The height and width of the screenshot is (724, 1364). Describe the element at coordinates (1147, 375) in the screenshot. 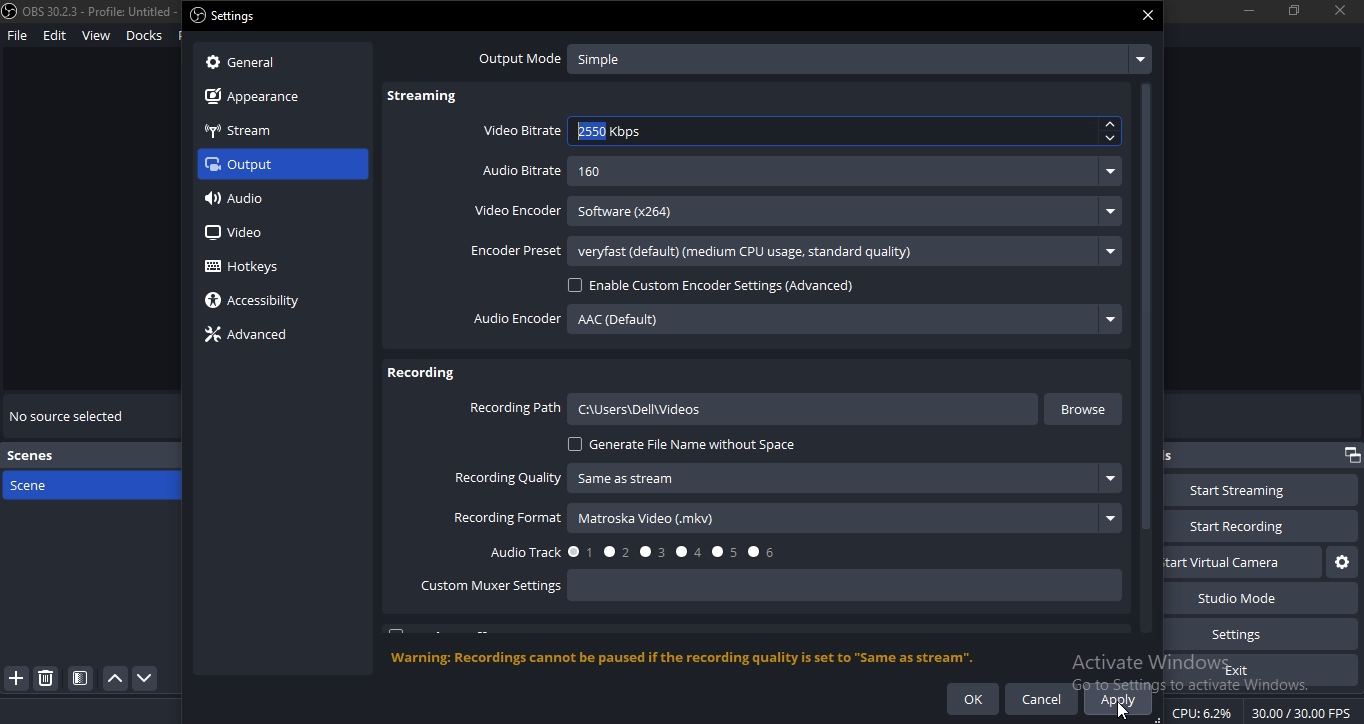

I see `scrollbar` at that location.